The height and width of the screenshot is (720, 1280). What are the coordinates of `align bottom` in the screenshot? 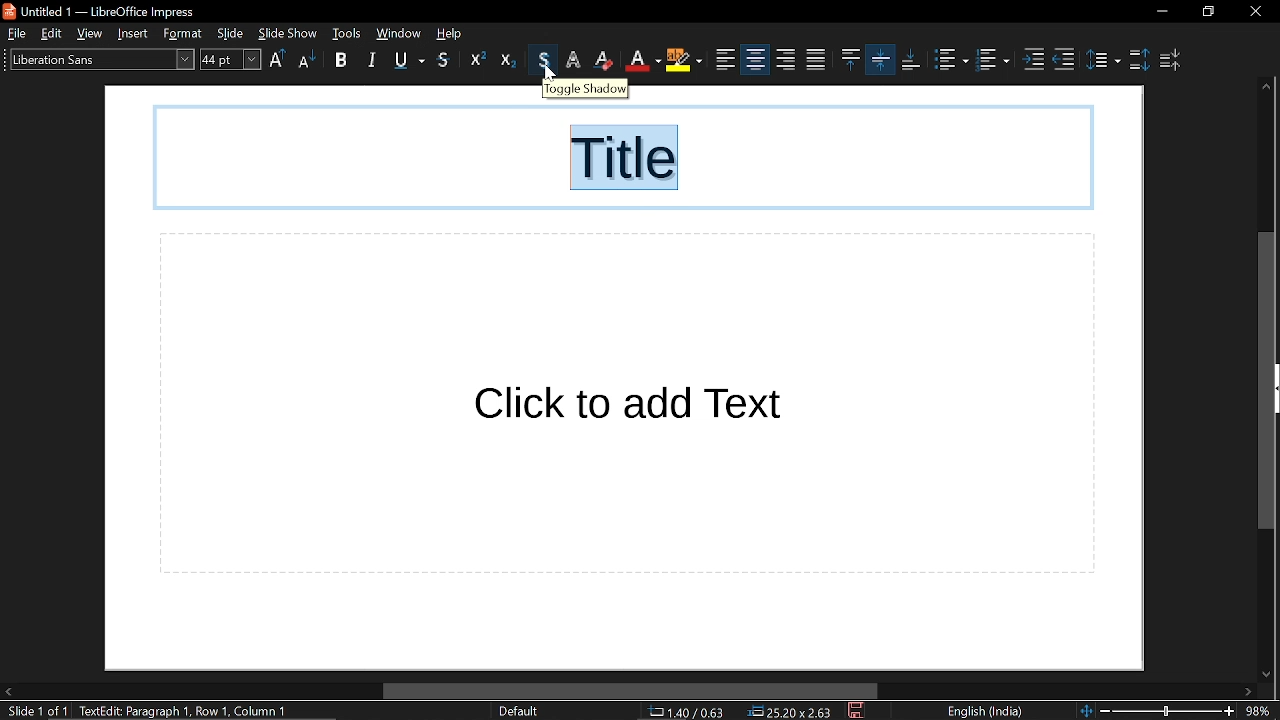 It's located at (881, 59).